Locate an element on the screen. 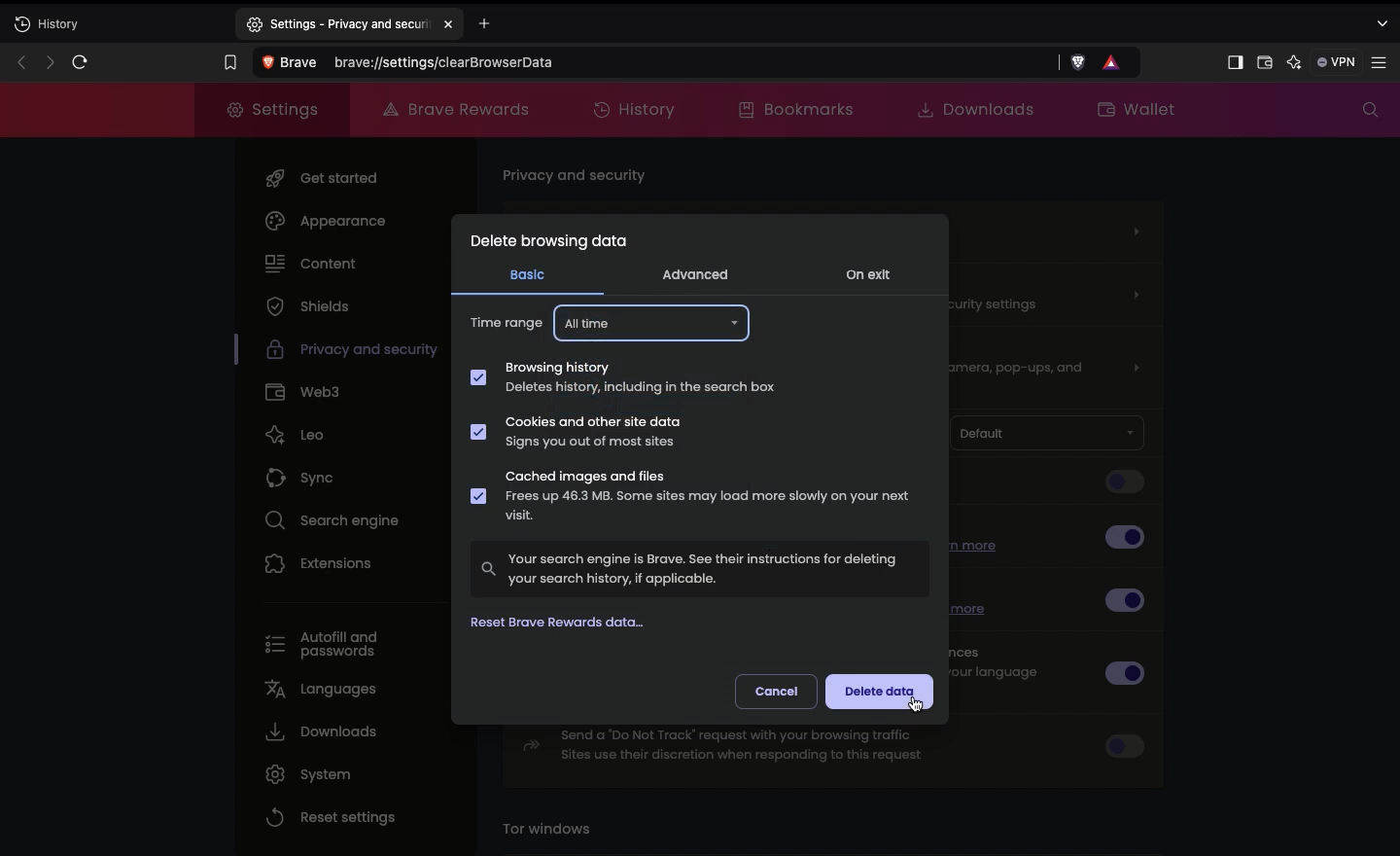  Privacy and security is located at coordinates (335, 352).